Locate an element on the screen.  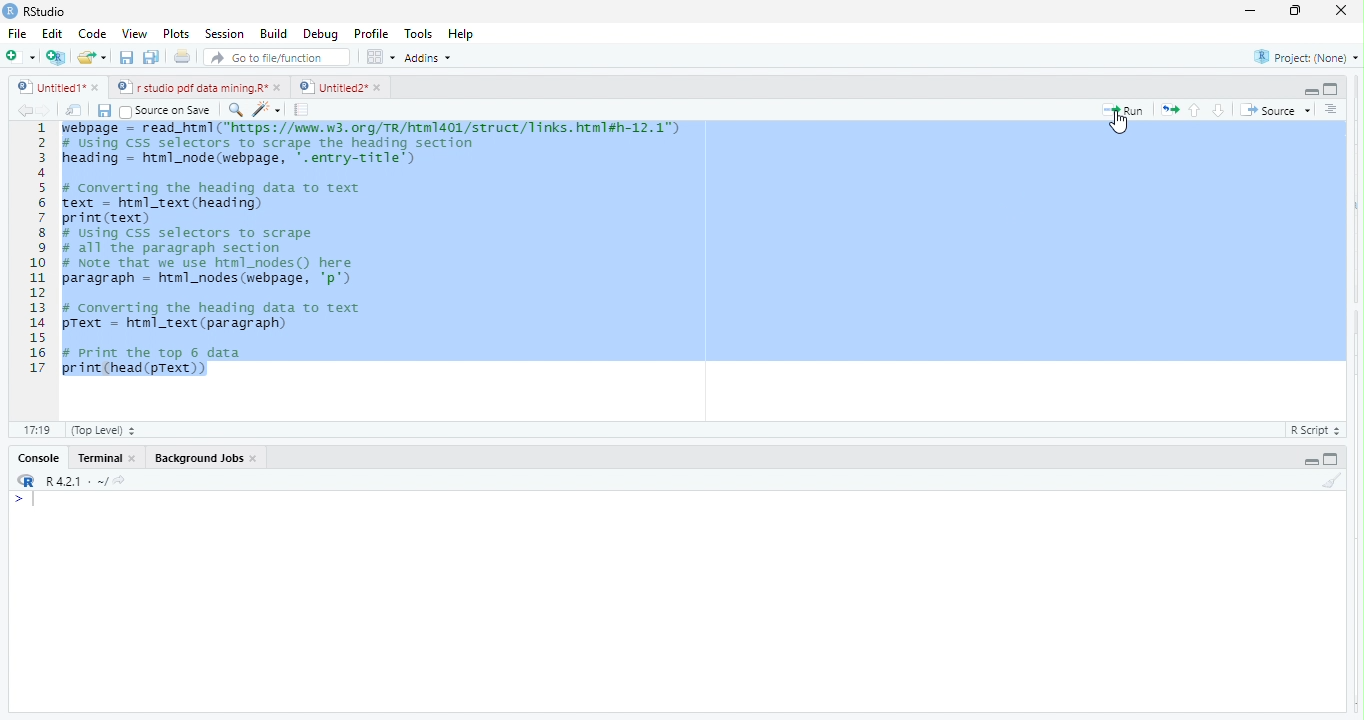
go to previous section/chunk is located at coordinates (1196, 111).